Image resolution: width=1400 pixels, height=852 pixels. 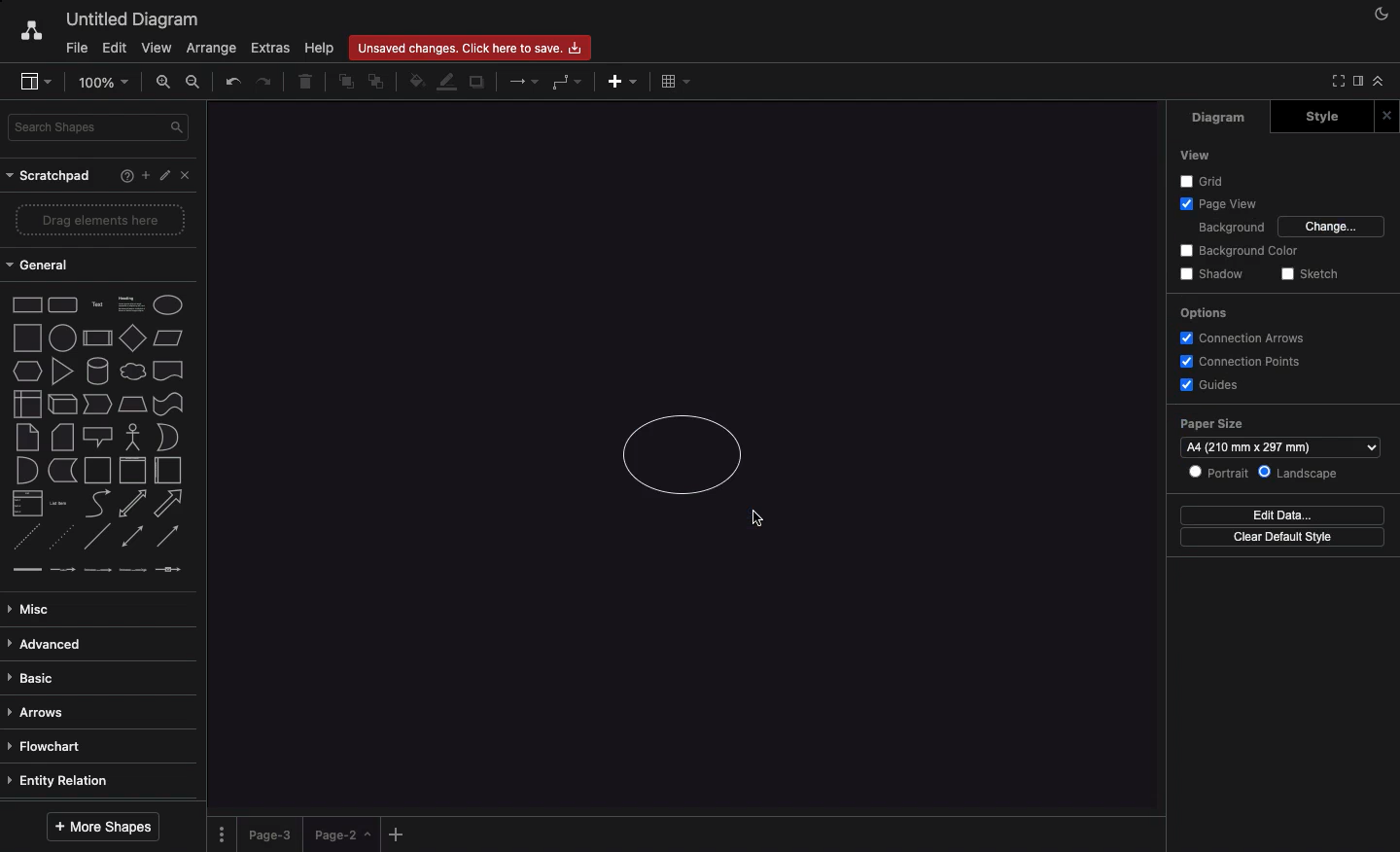 I want to click on To back, so click(x=376, y=83).